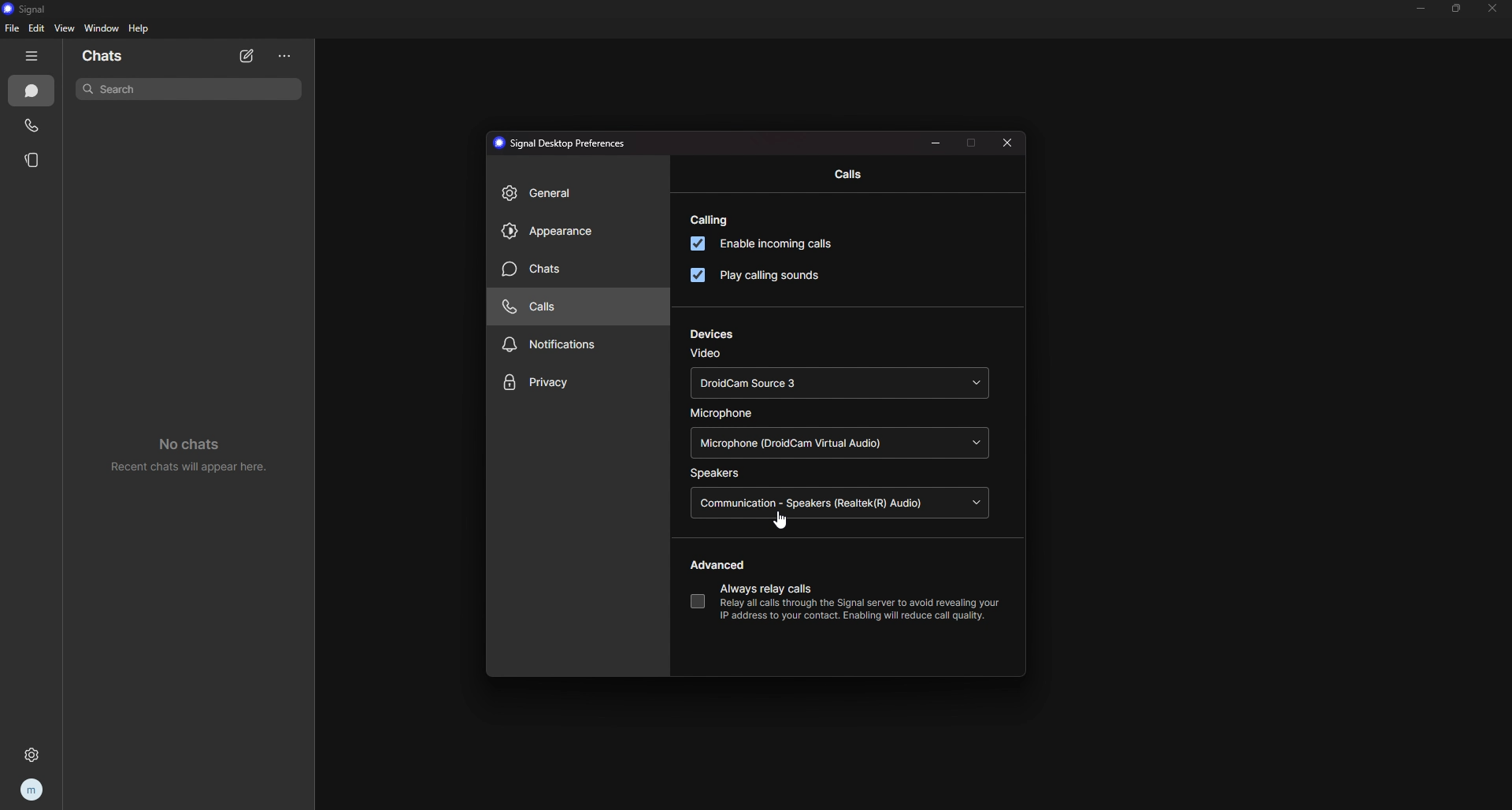 The image size is (1512, 810). What do you see at coordinates (759, 276) in the screenshot?
I see `play calling sounds` at bounding box center [759, 276].